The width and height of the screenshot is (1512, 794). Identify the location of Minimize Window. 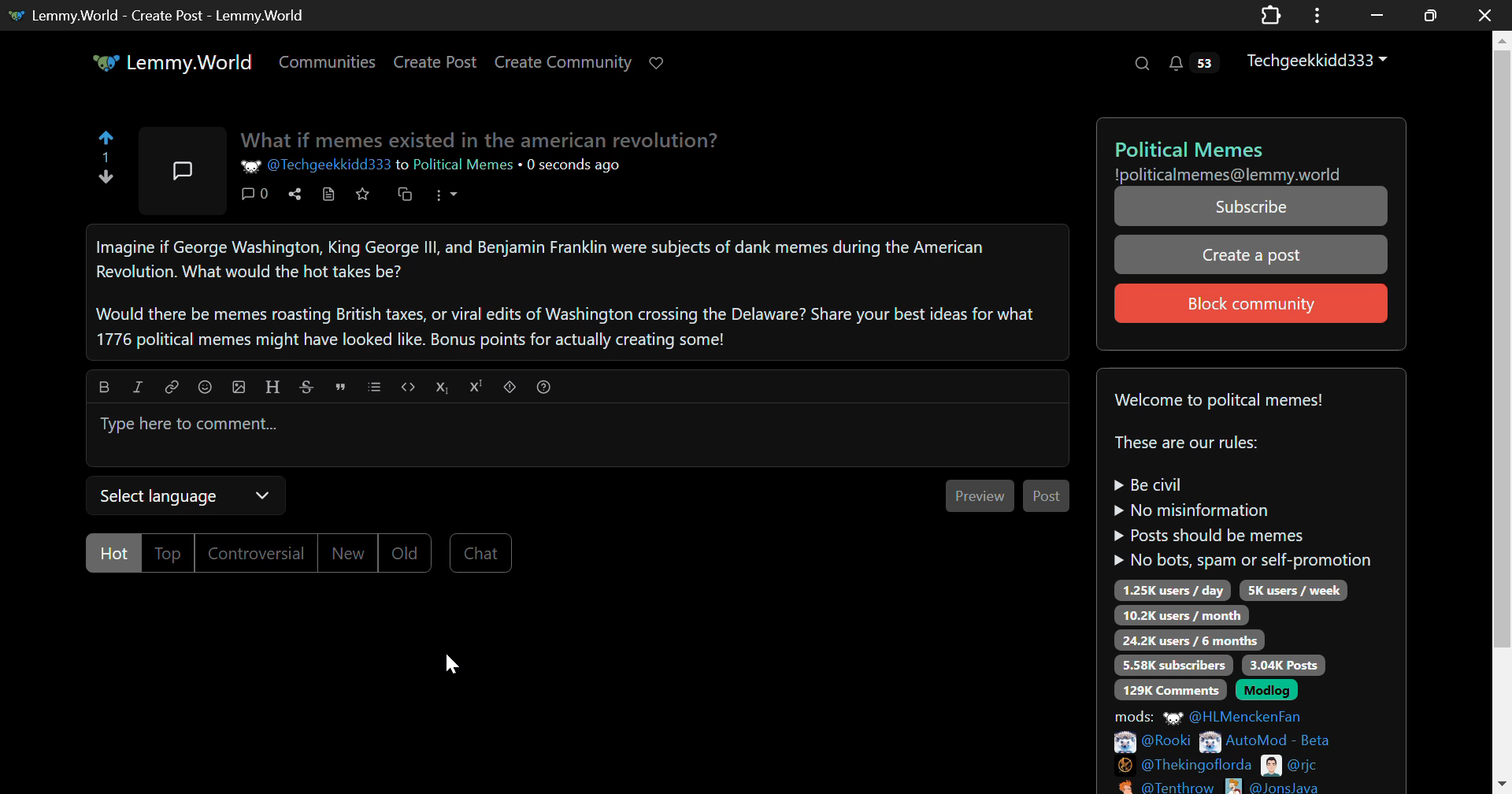
(1428, 16).